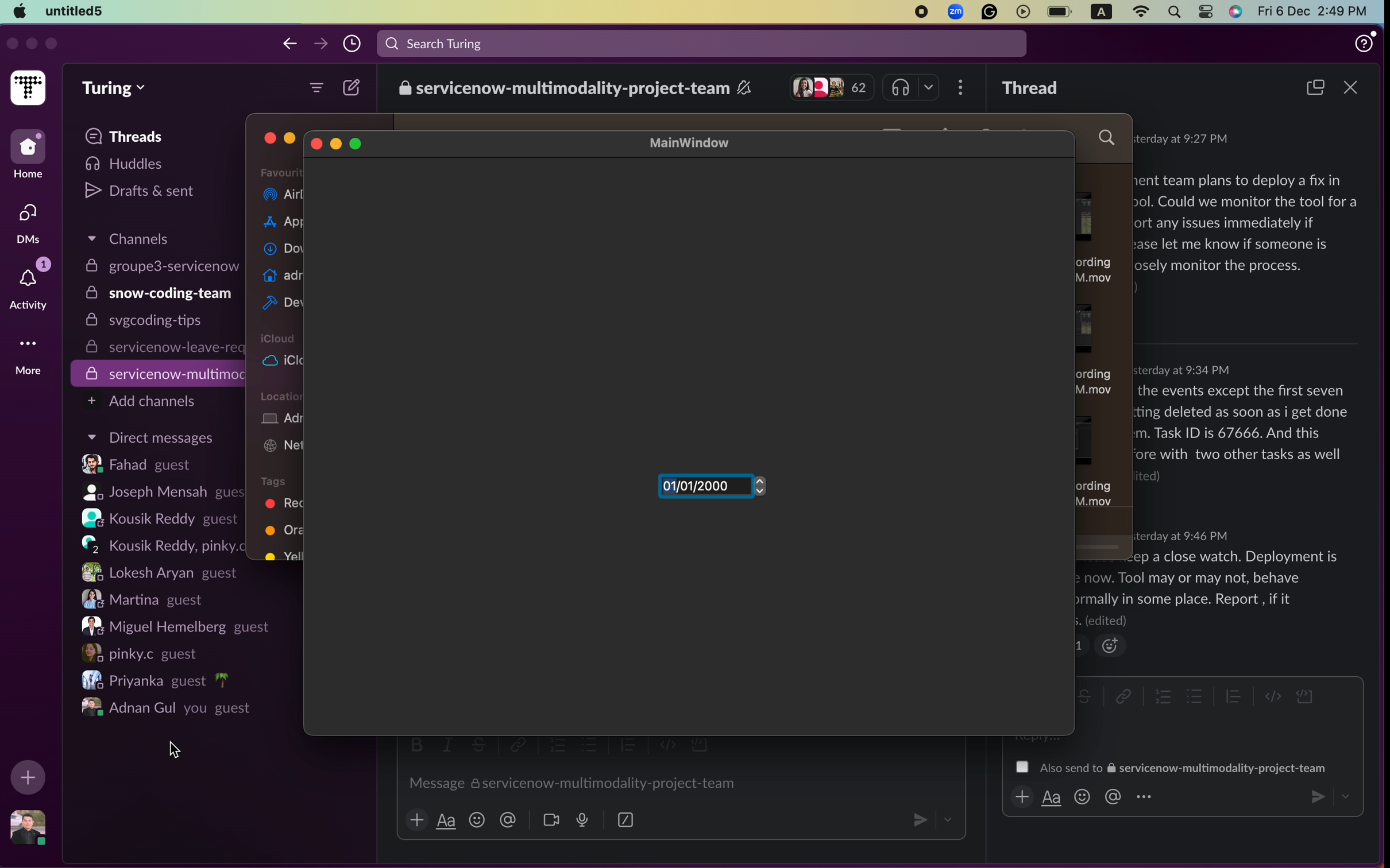  Describe the element at coordinates (316, 144) in the screenshot. I see `close` at that location.